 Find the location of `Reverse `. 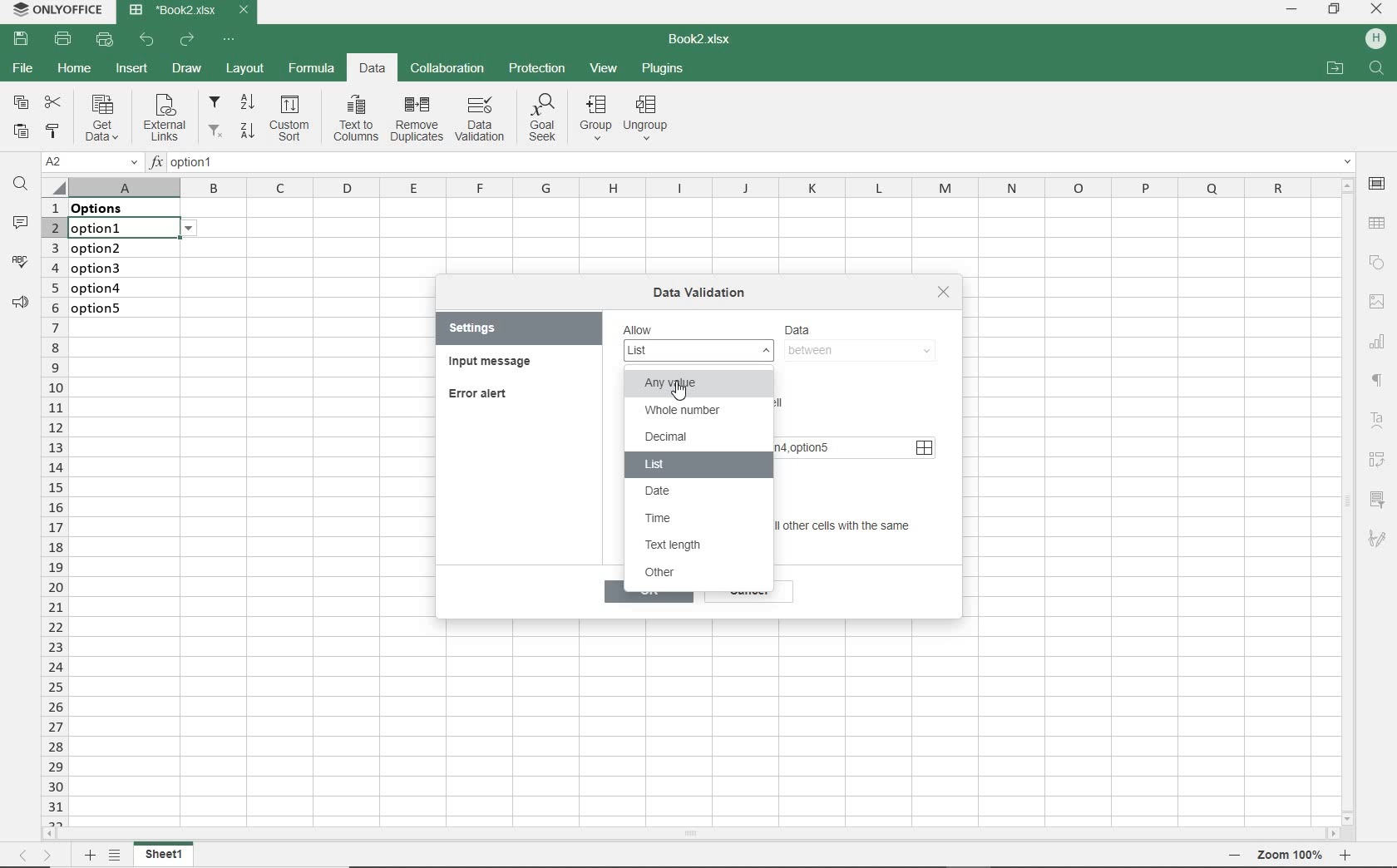

Reverse  is located at coordinates (1381, 460).